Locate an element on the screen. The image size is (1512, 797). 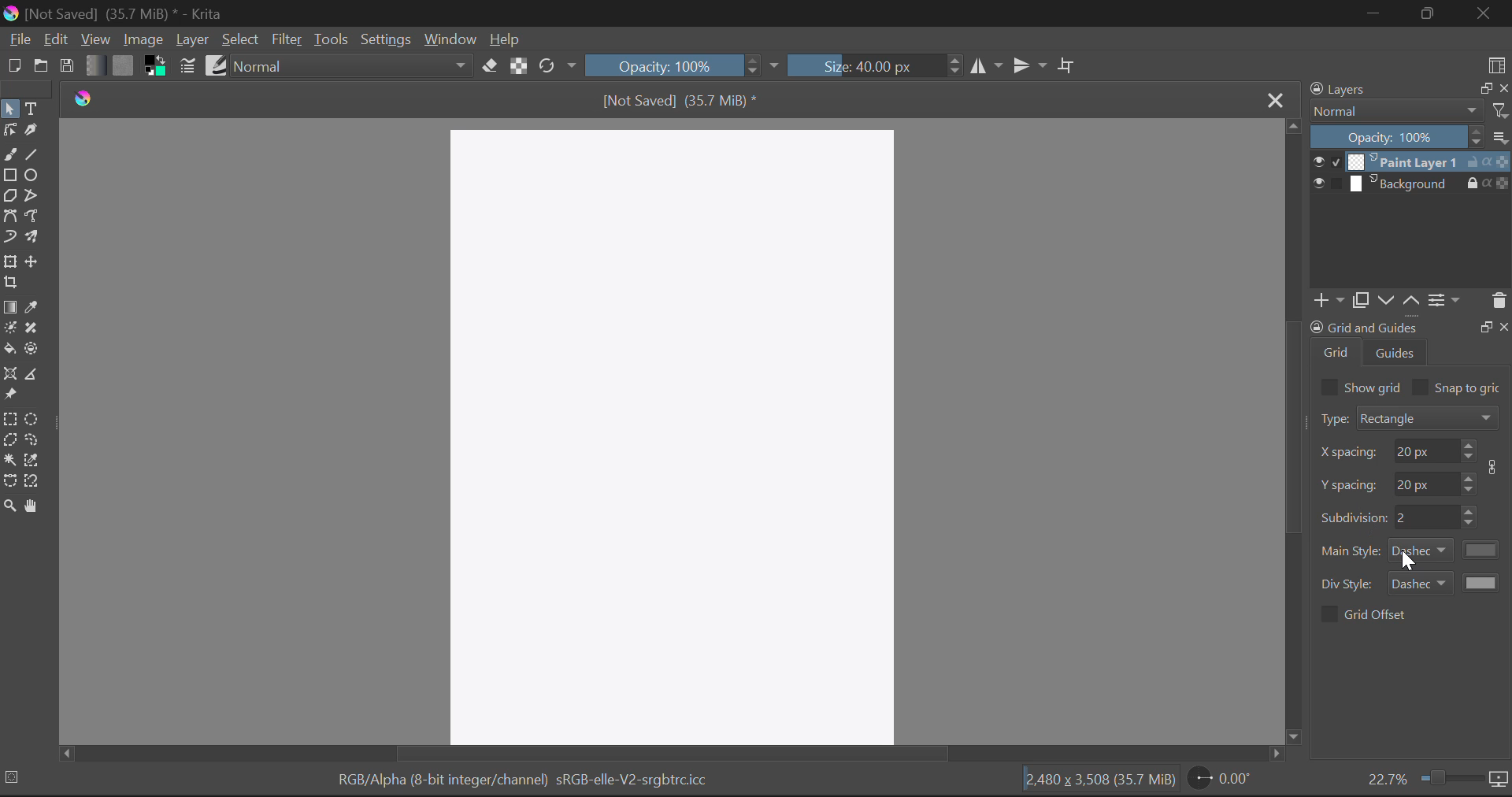
filter icon is located at coordinates (1499, 110).